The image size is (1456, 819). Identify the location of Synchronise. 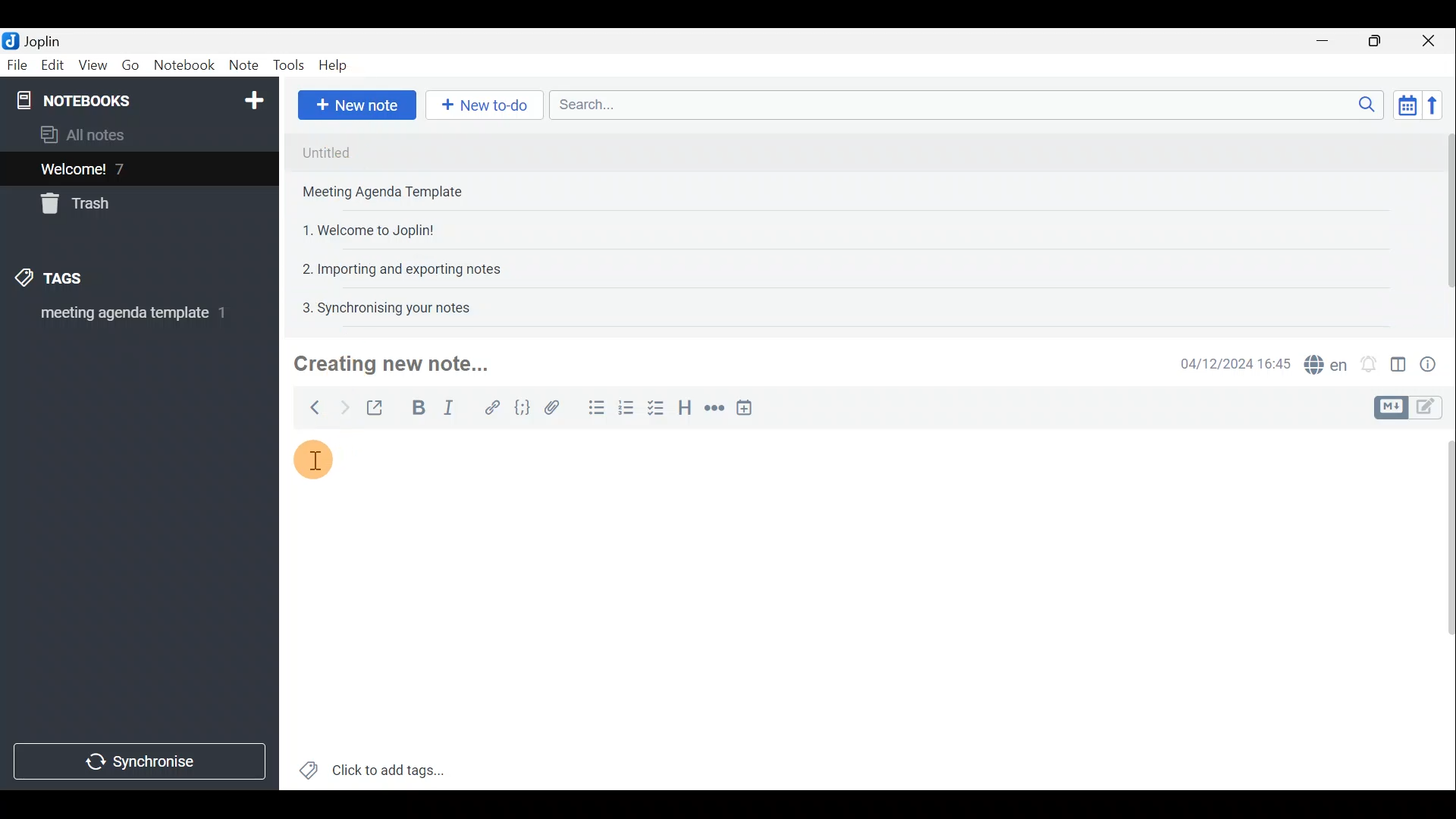
(142, 764).